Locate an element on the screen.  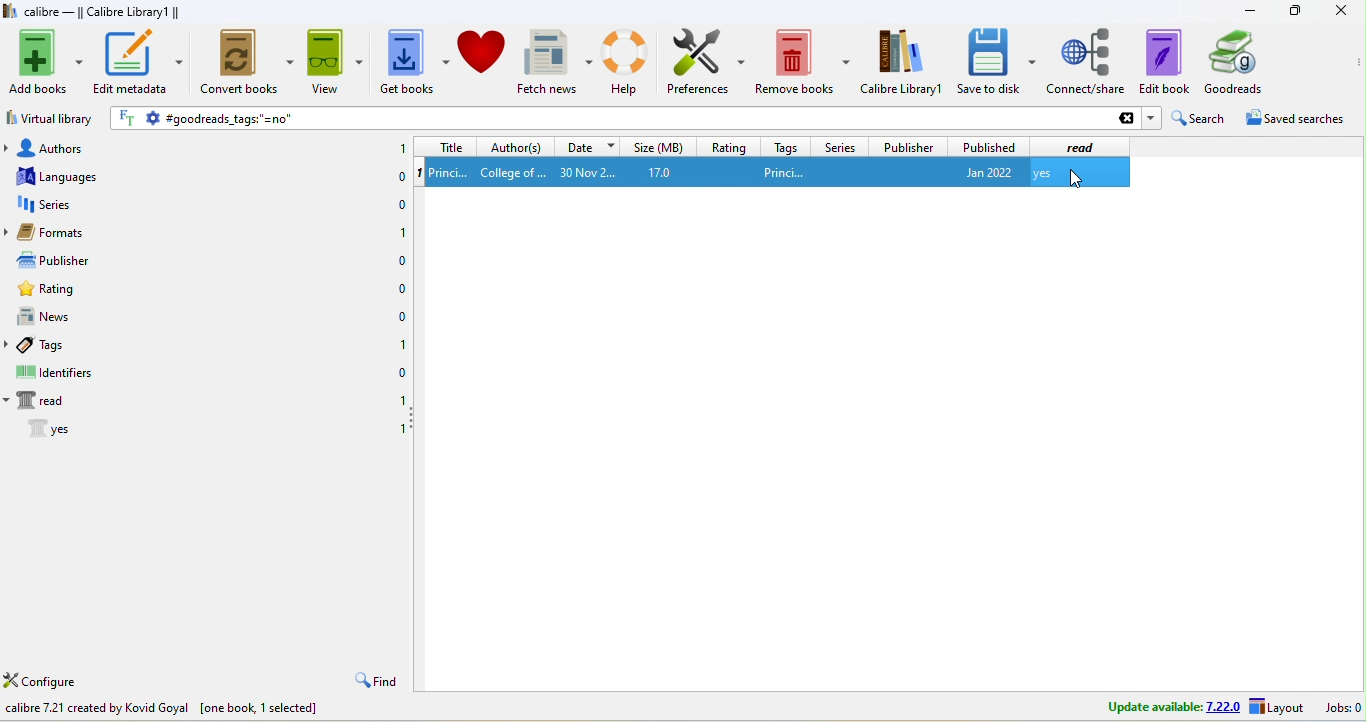
help is located at coordinates (627, 63).